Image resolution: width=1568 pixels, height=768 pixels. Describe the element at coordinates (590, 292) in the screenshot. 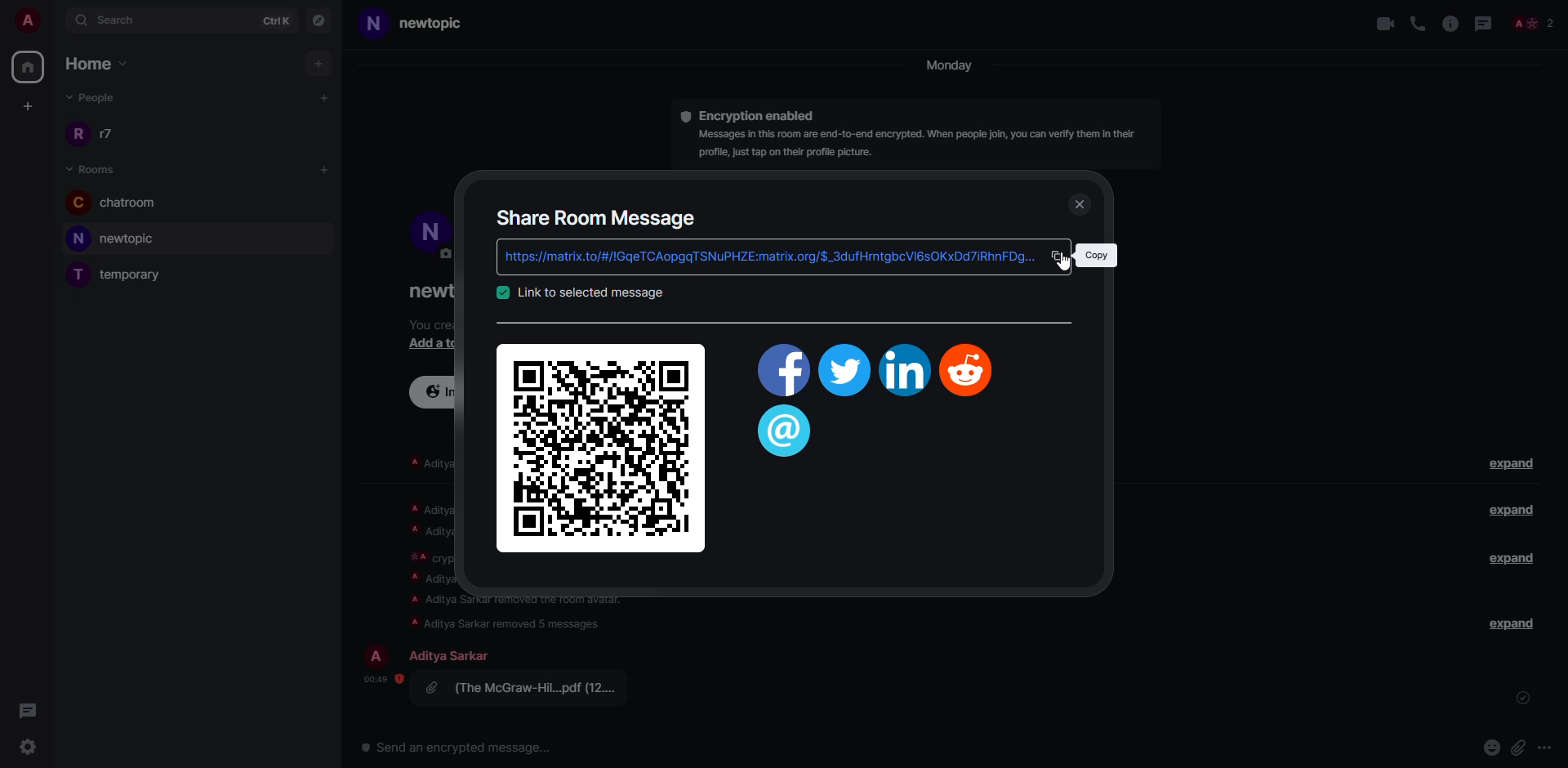

I see `link` at that location.